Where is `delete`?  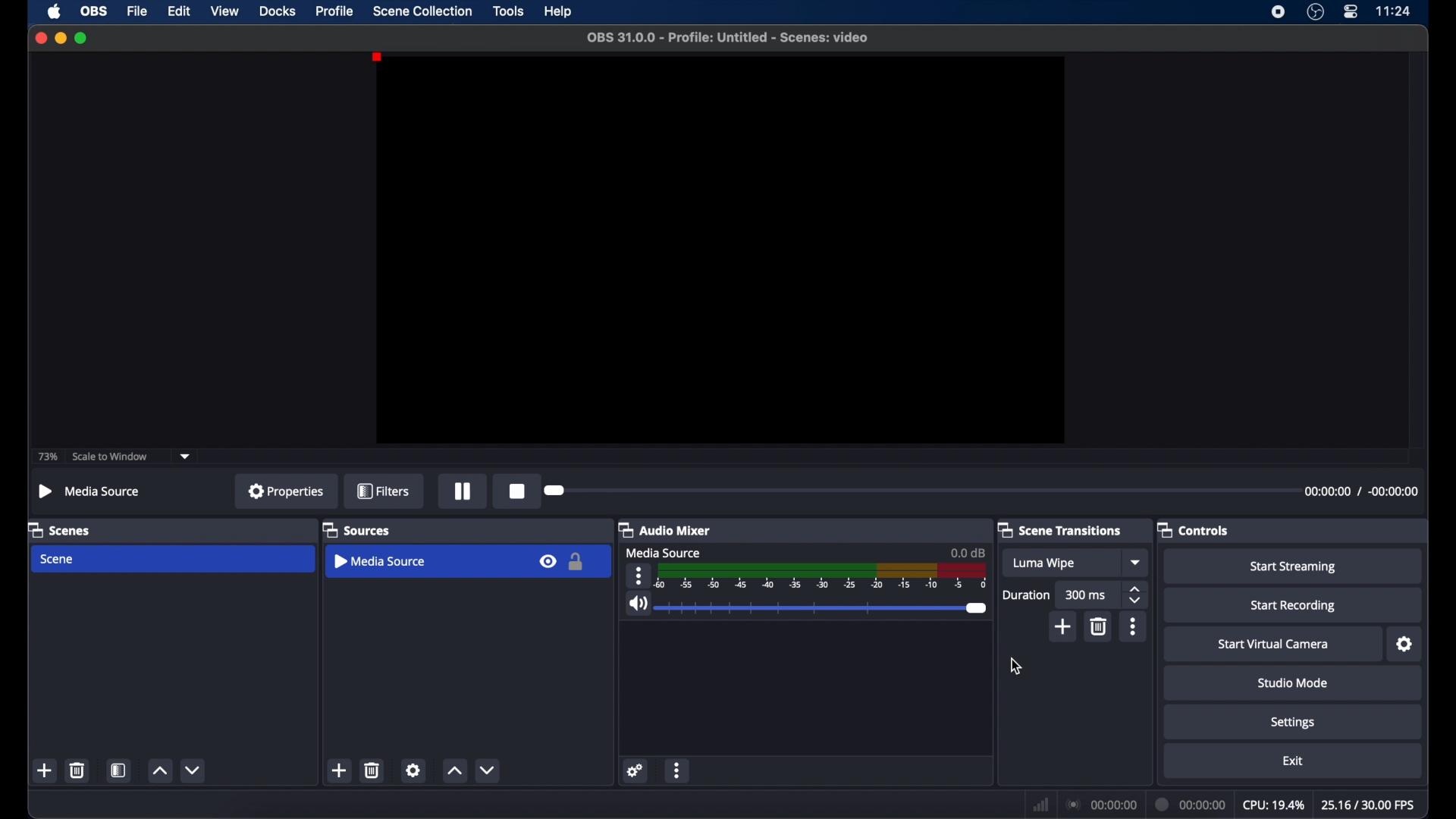 delete is located at coordinates (1100, 627).